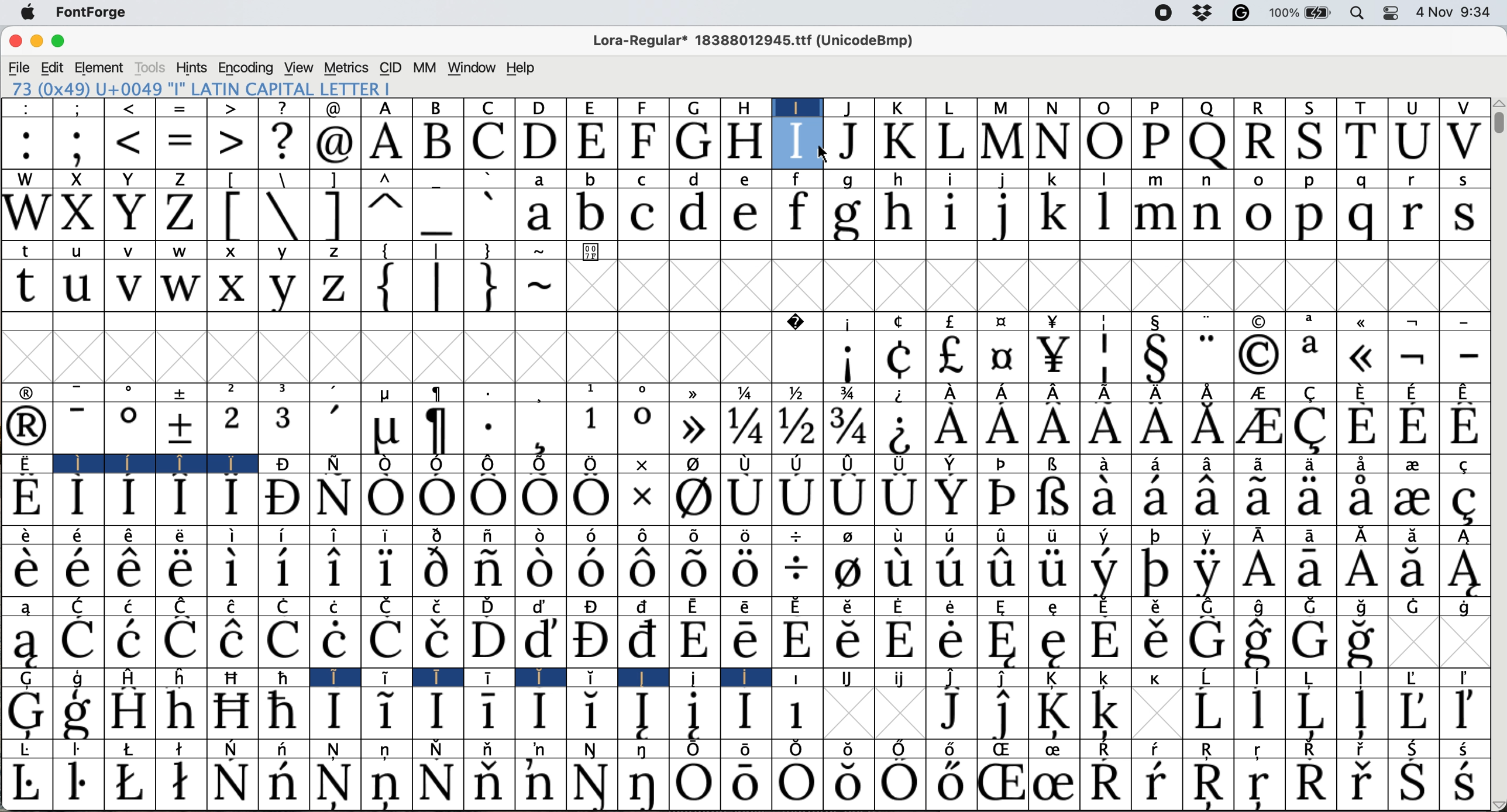  What do you see at coordinates (539, 287) in the screenshot?
I see `~` at bounding box center [539, 287].